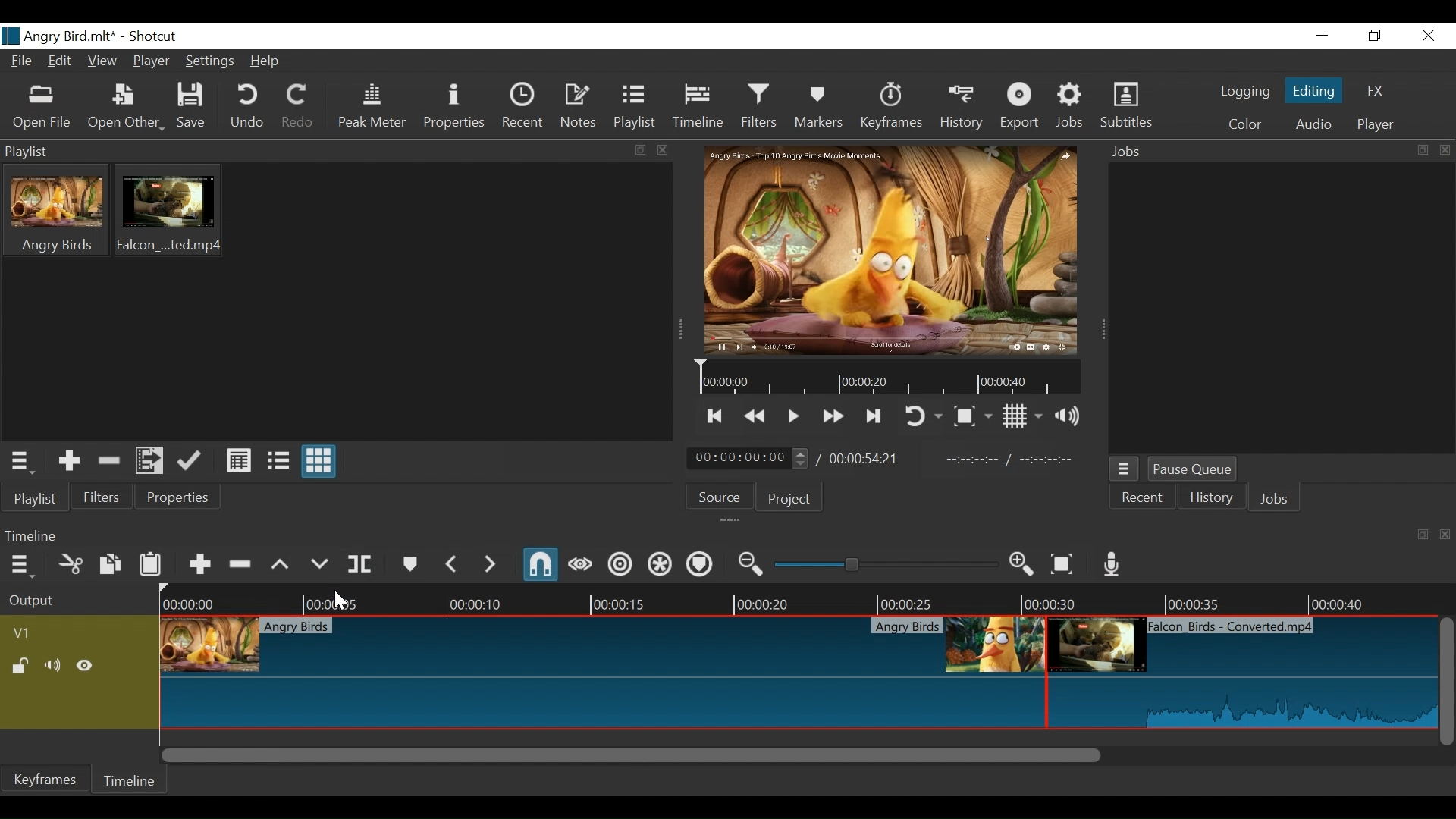 Image resolution: width=1456 pixels, height=819 pixels. Describe the element at coordinates (1064, 598) in the screenshot. I see `Timeline` at that location.